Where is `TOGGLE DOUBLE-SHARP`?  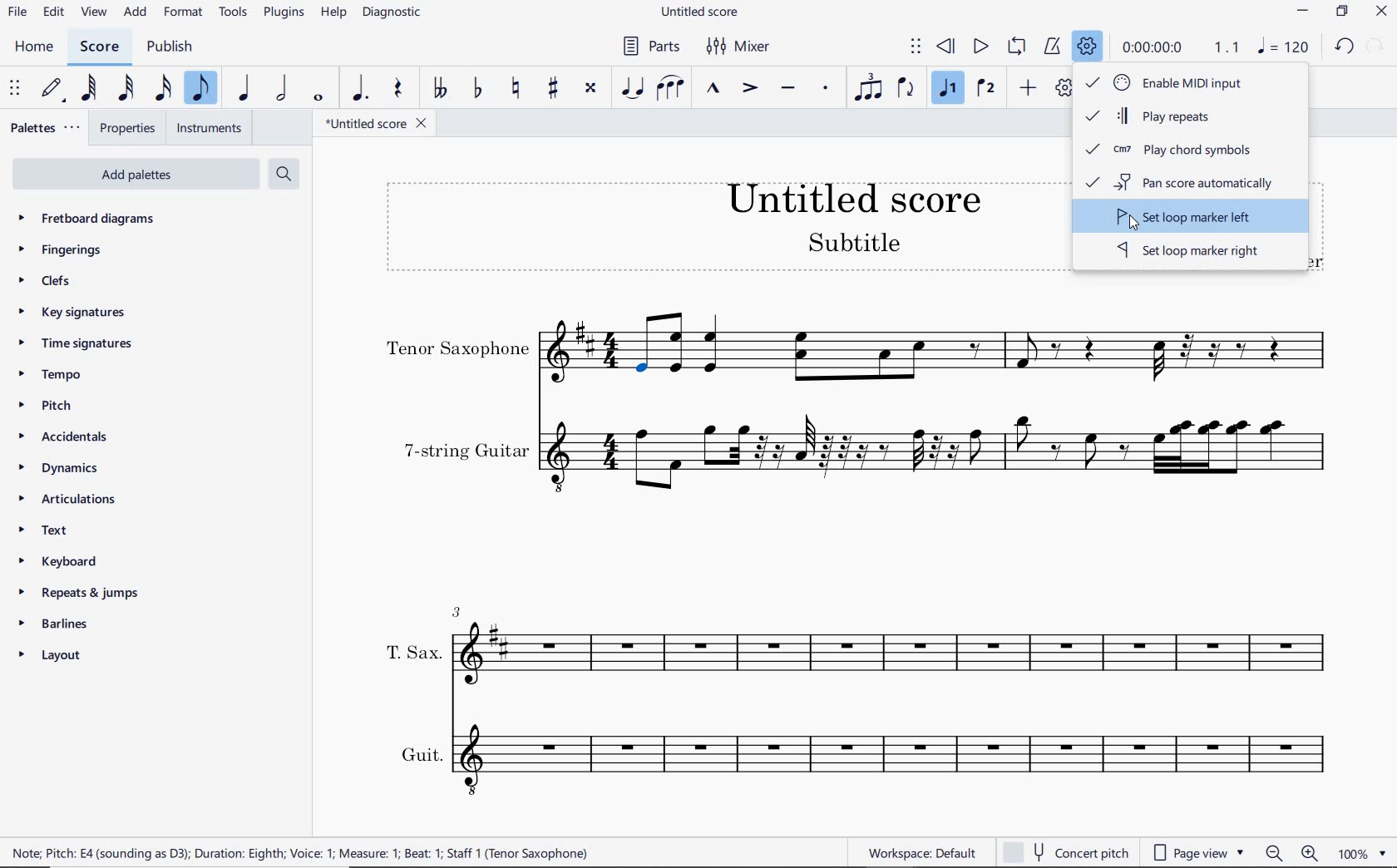
TOGGLE DOUBLE-SHARP is located at coordinates (590, 89).